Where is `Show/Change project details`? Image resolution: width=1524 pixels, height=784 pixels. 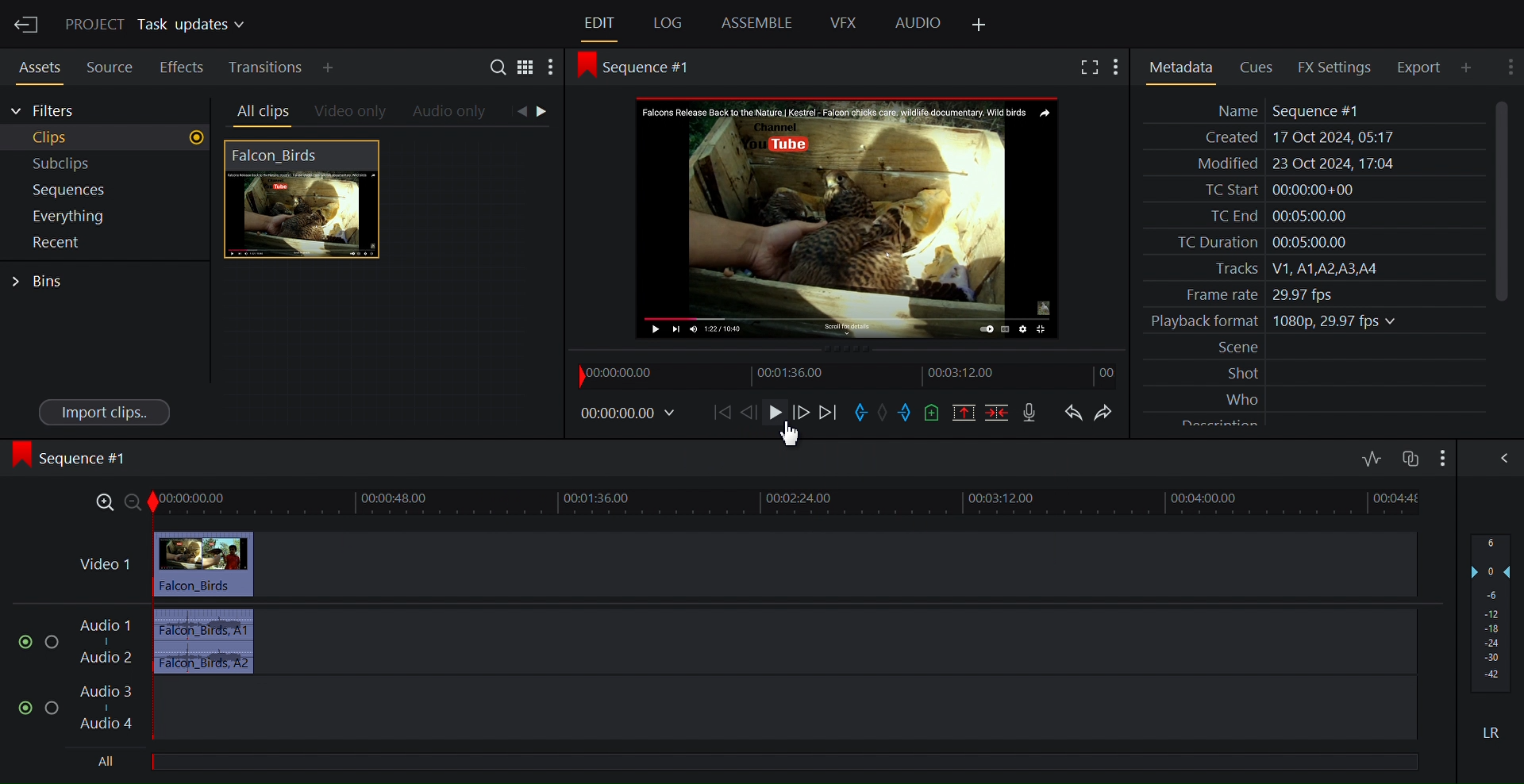 Show/Change project details is located at coordinates (159, 25).